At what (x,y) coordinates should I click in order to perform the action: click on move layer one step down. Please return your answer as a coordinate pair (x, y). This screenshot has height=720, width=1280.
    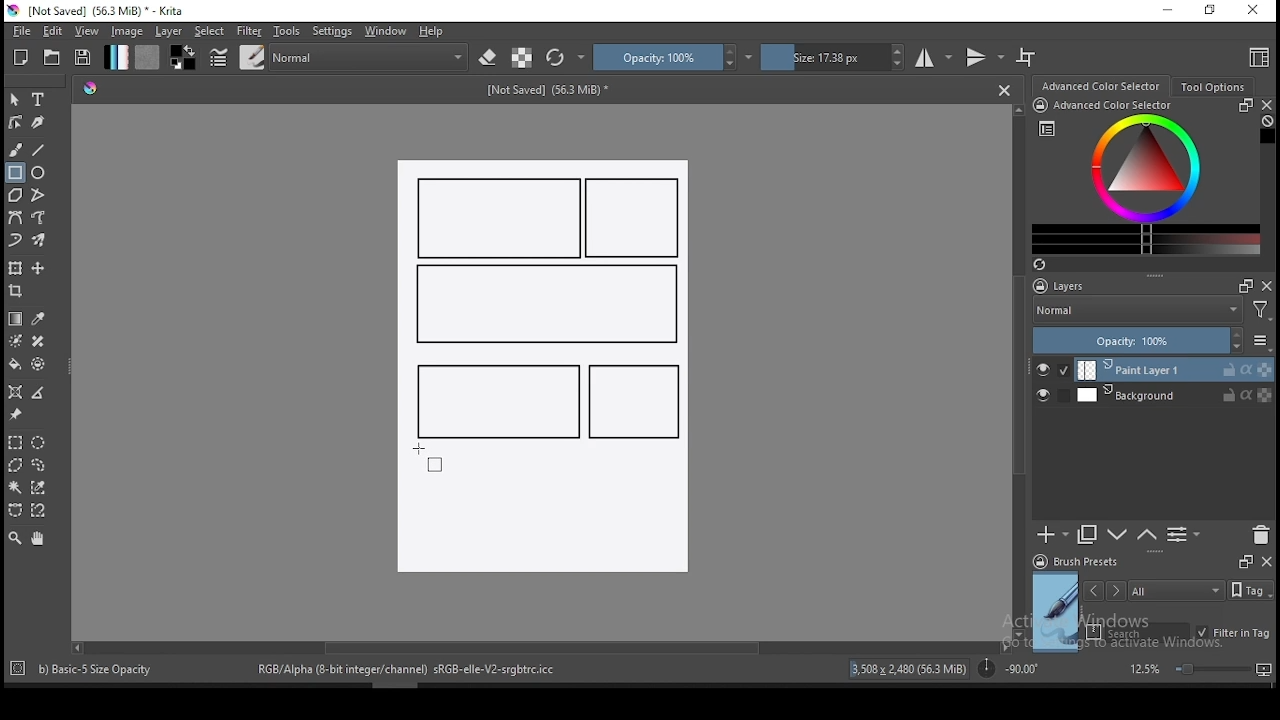
    Looking at the image, I should click on (1147, 535).